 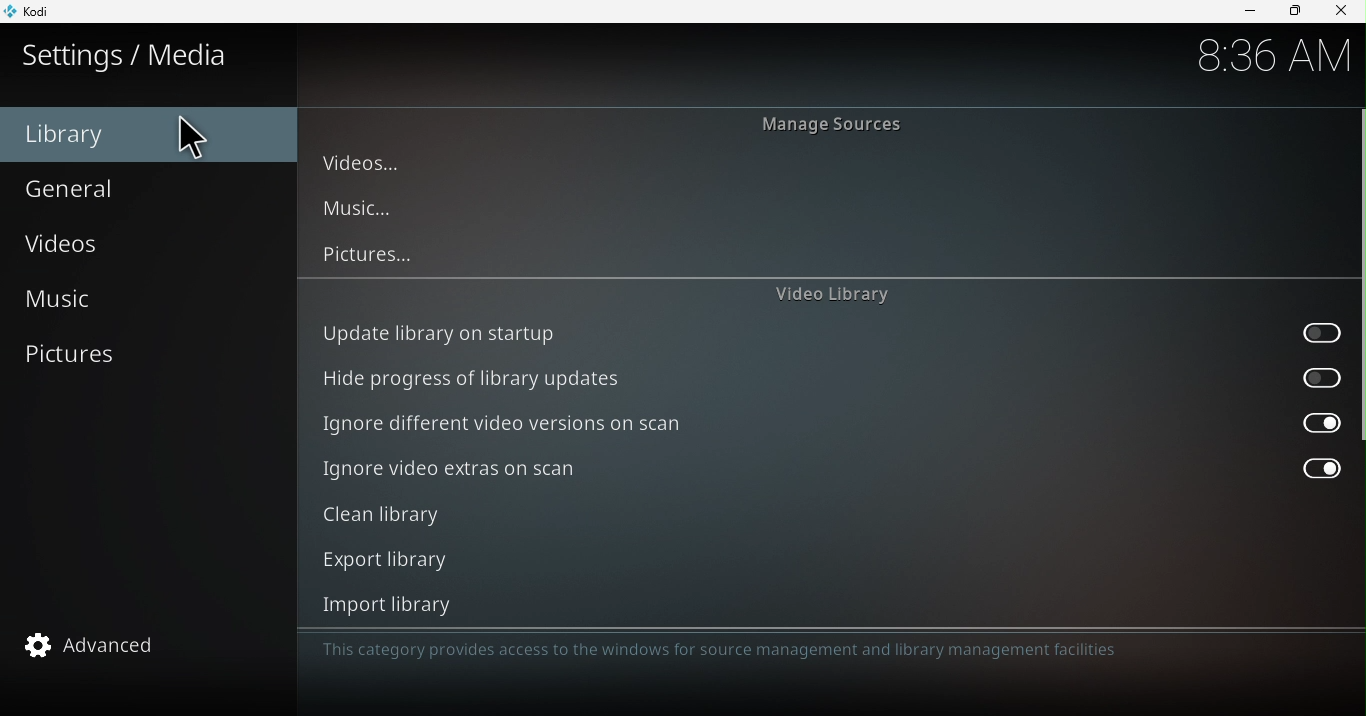 I want to click on Videos, so click(x=373, y=166).